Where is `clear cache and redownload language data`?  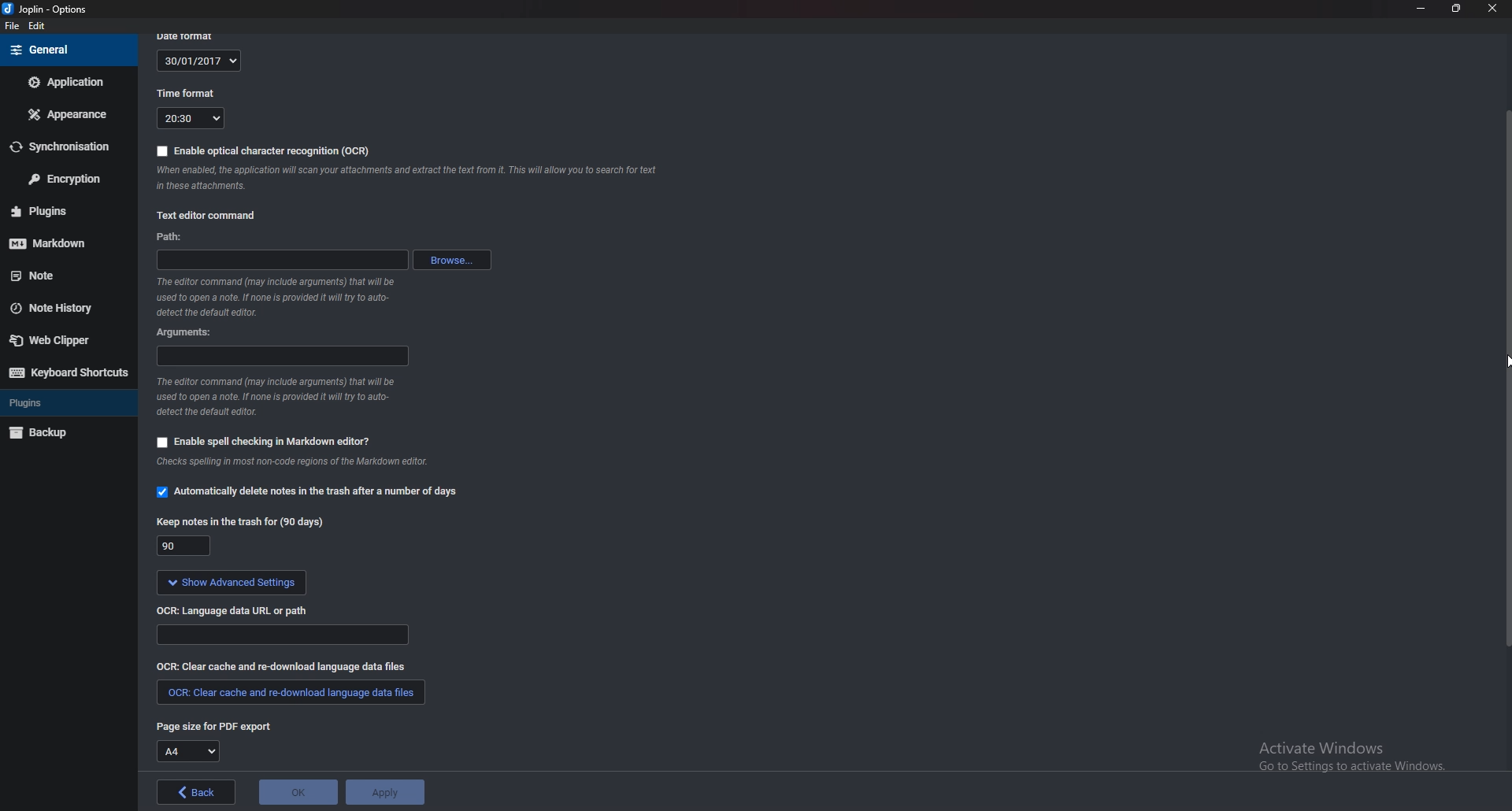 clear cache and redownload language data is located at coordinates (292, 691).